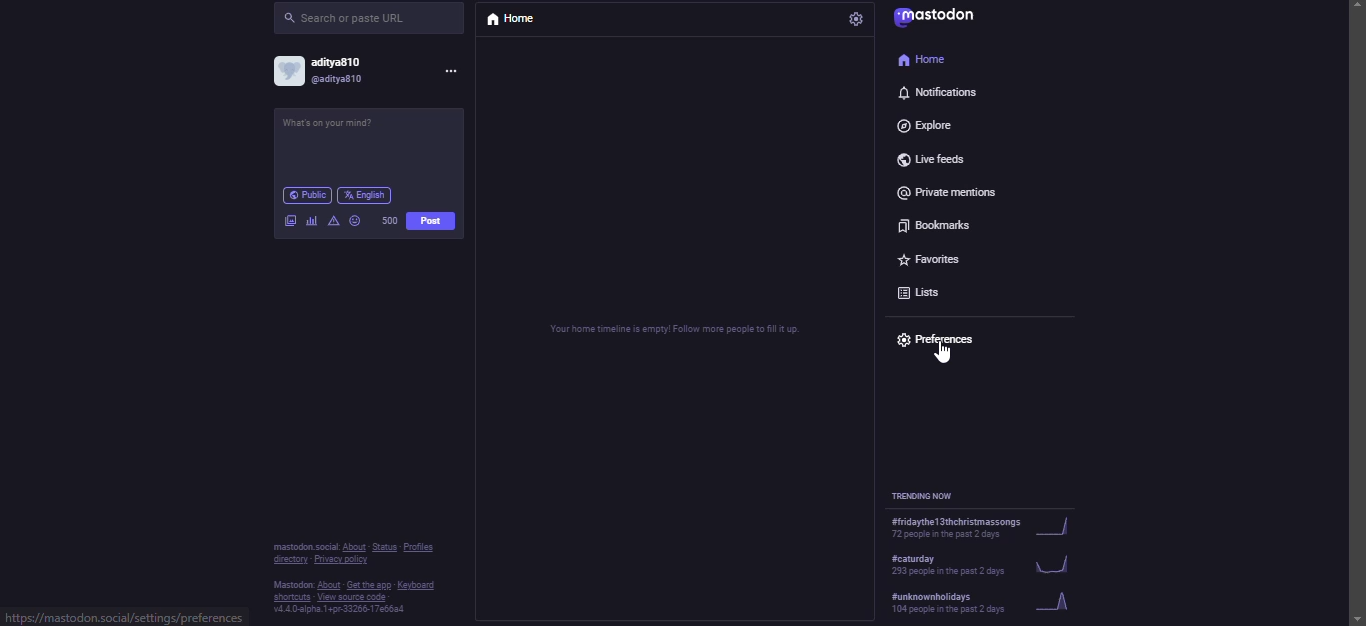 Image resolution: width=1366 pixels, height=626 pixels. What do you see at coordinates (333, 221) in the screenshot?
I see `advanced` at bounding box center [333, 221].